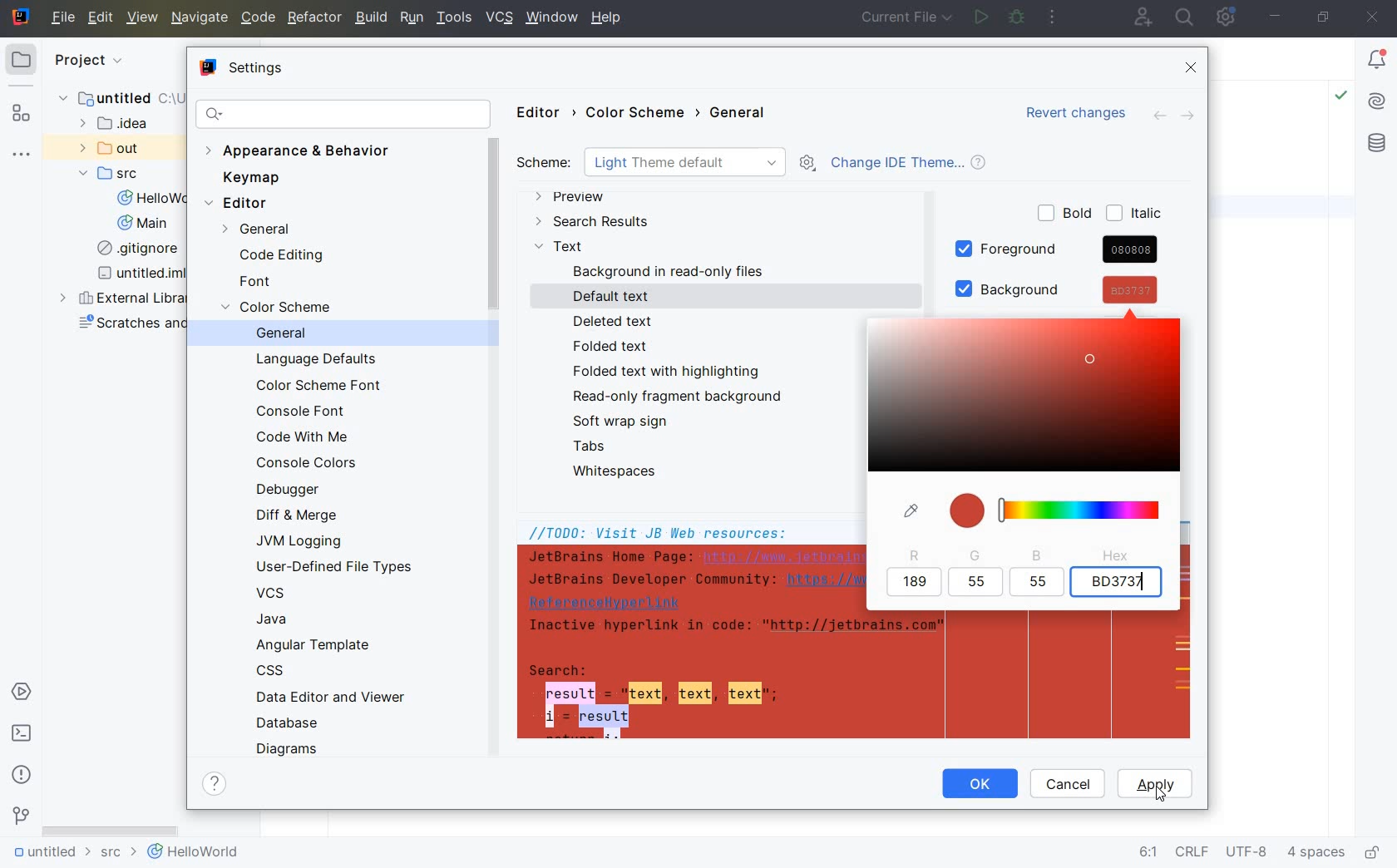 This screenshot has width=1397, height=868. What do you see at coordinates (284, 308) in the screenshot?
I see `COLOR SCEME` at bounding box center [284, 308].